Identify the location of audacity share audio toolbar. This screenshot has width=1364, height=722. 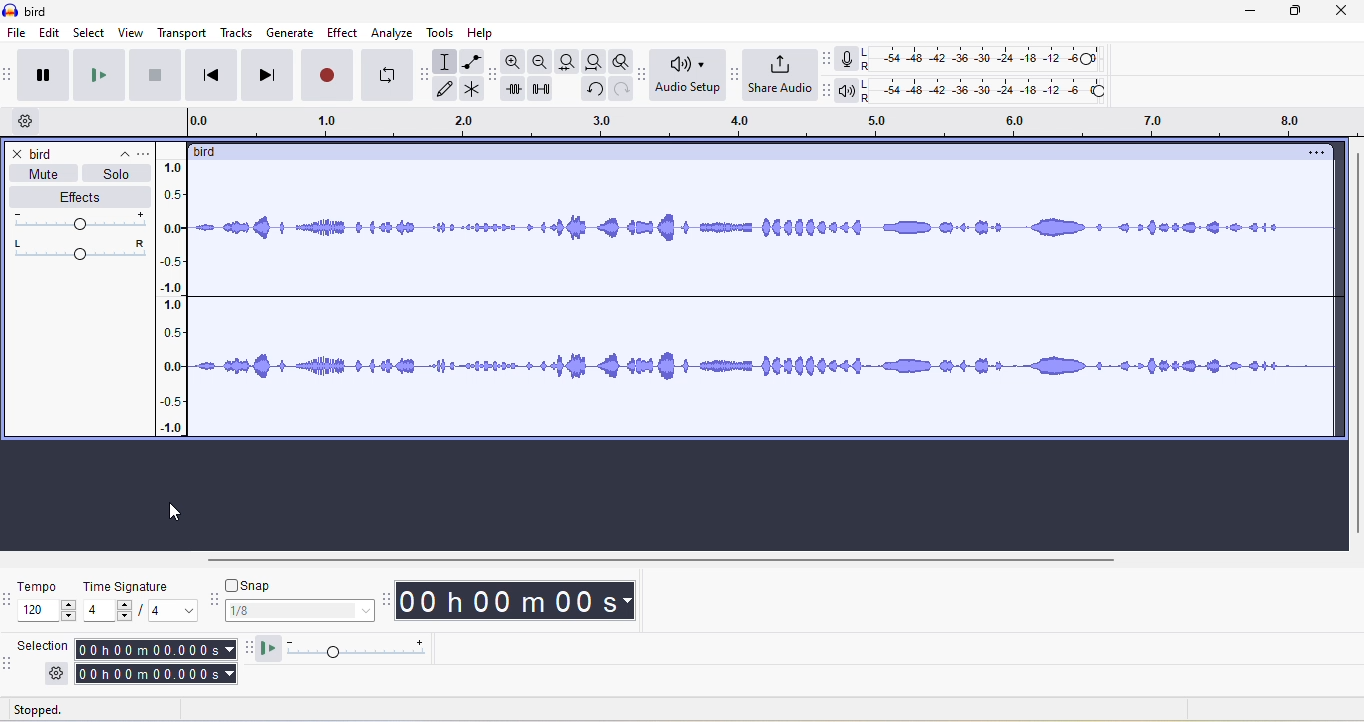
(732, 76).